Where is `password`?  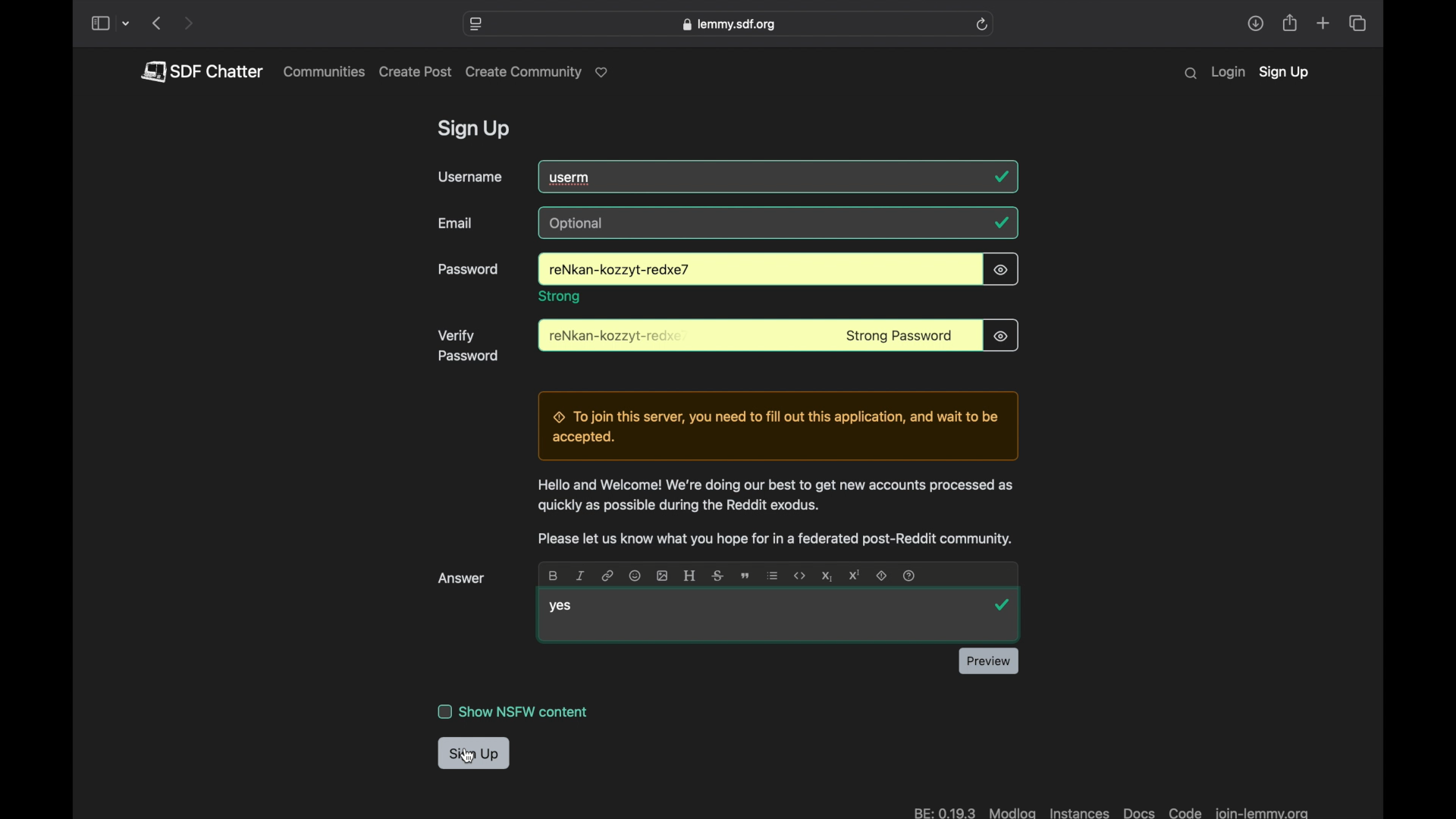
password is located at coordinates (617, 271).